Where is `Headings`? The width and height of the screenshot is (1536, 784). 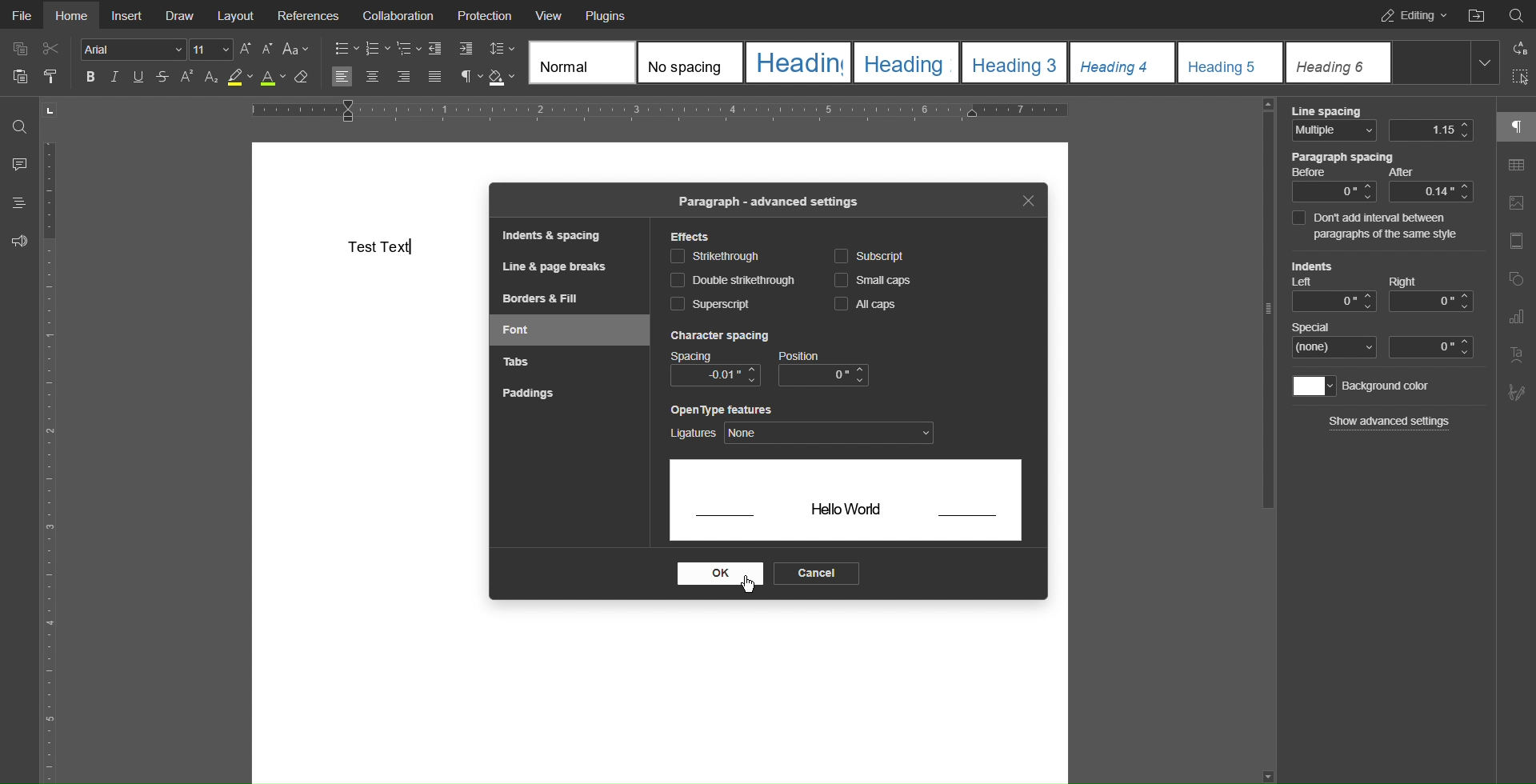
Headings is located at coordinates (18, 202).